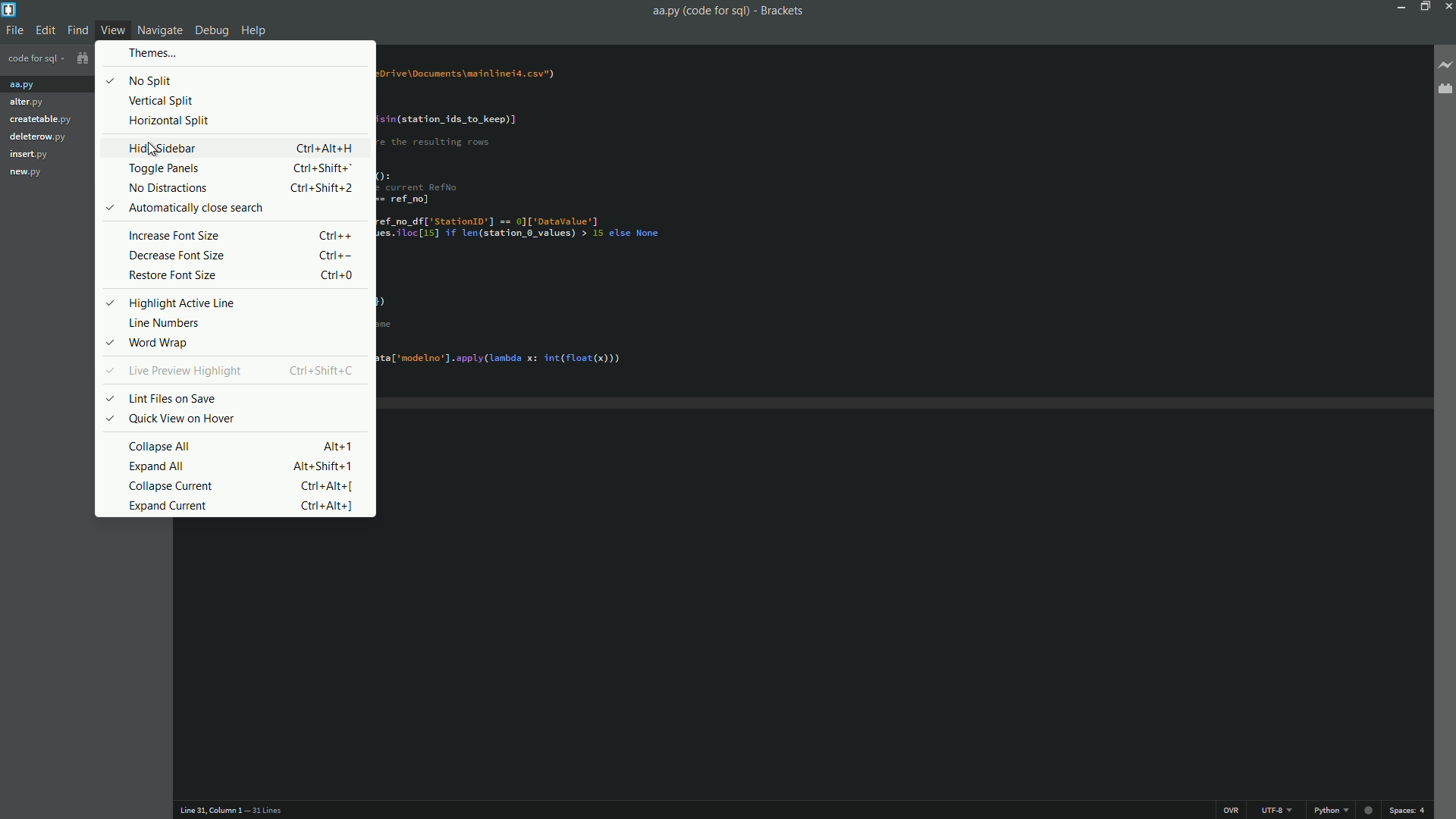 Image resolution: width=1456 pixels, height=819 pixels. What do you see at coordinates (31, 60) in the screenshot?
I see `project name` at bounding box center [31, 60].